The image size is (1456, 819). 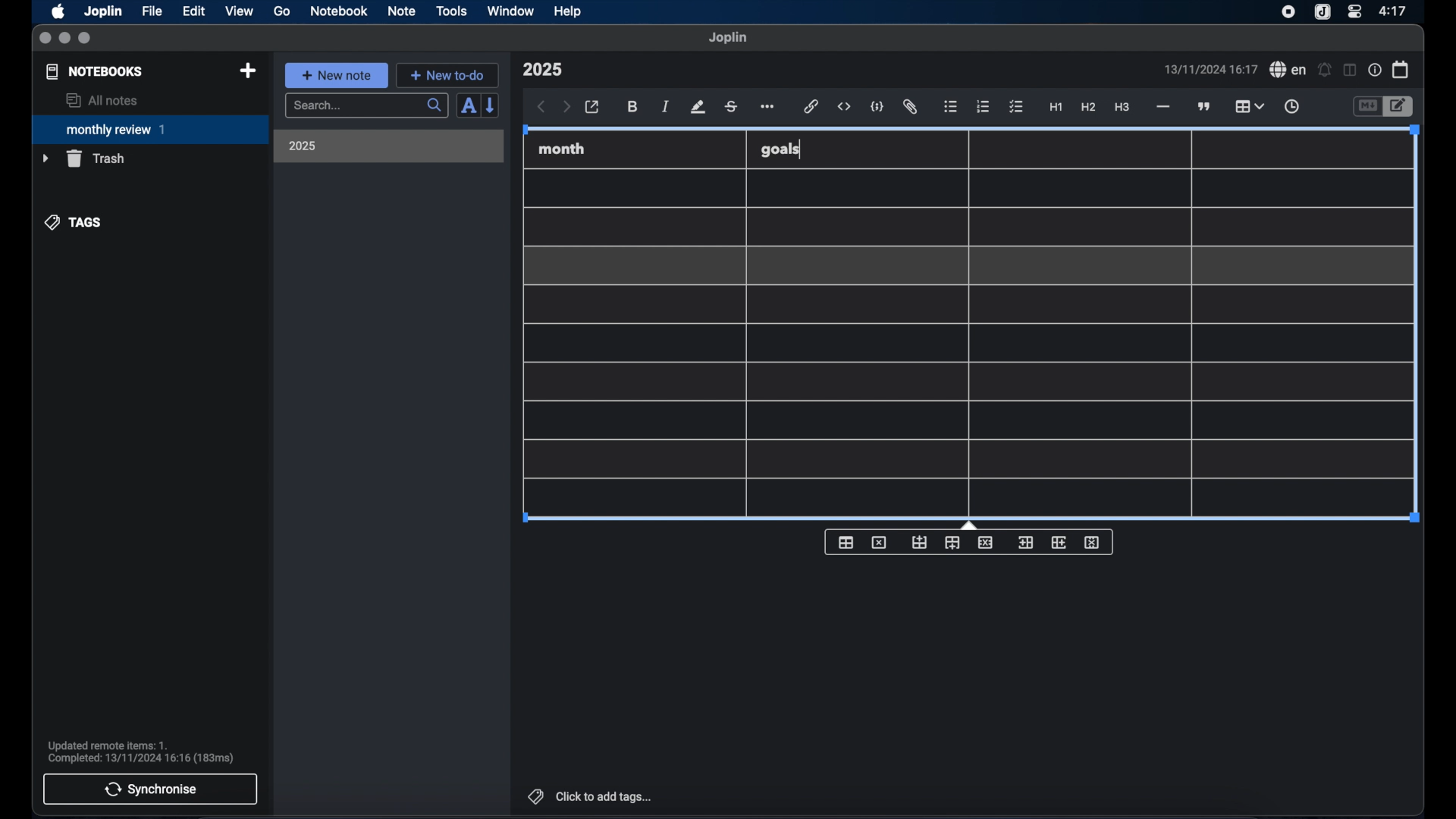 I want to click on hyperlink, so click(x=811, y=106).